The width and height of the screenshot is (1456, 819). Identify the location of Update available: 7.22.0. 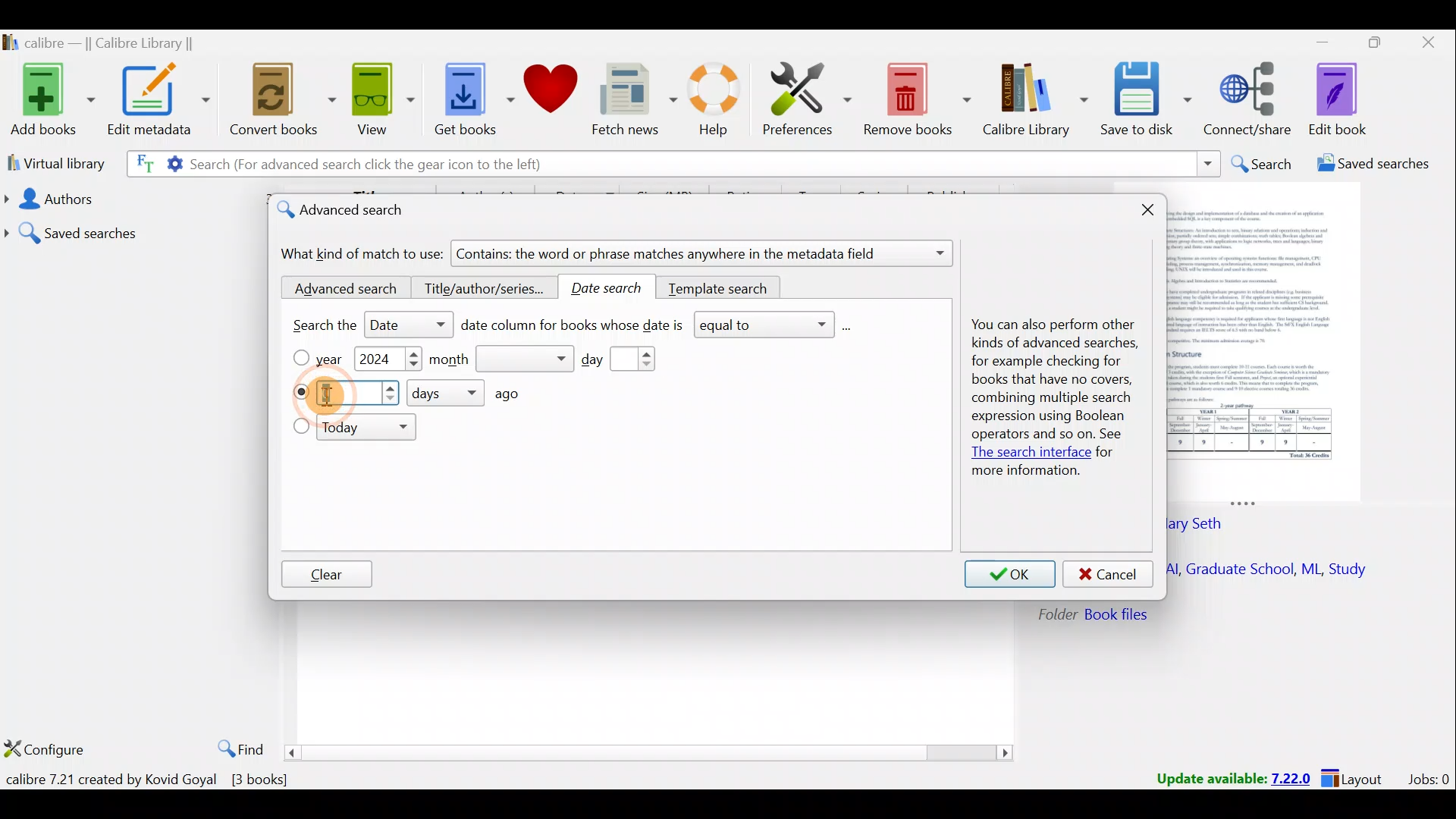
(1225, 777).